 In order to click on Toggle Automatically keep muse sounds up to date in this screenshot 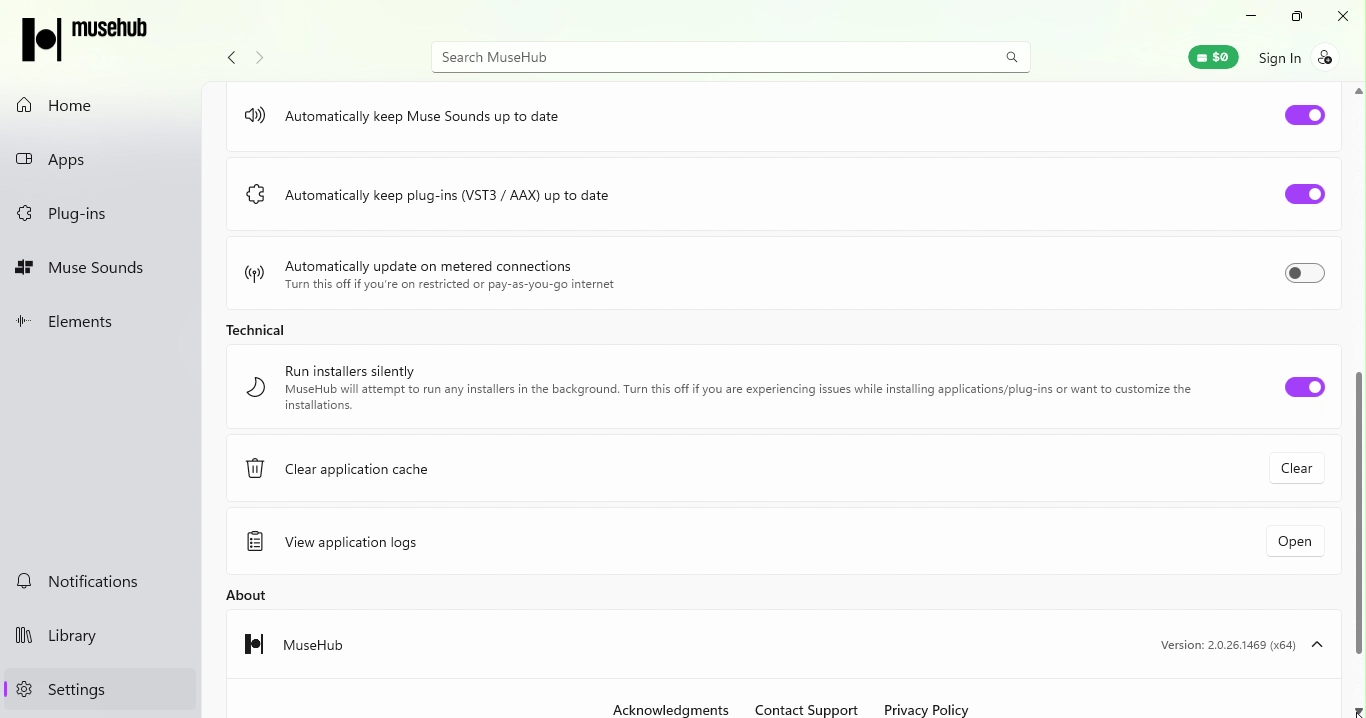, I will do `click(1304, 115)`.